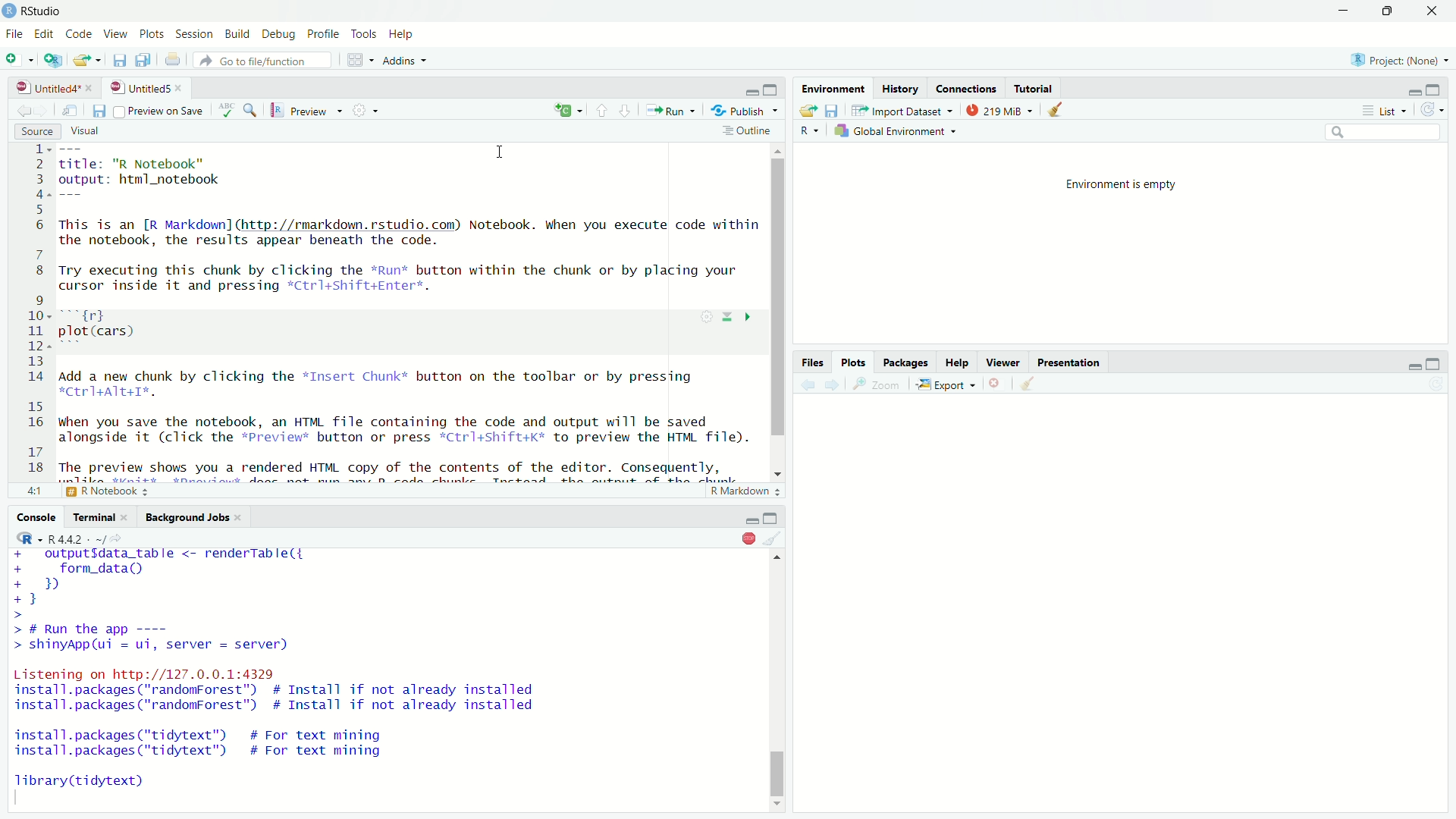 The width and height of the screenshot is (1456, 819). Describe the element at coordinates (1034, 89) in the screenshot. I see `Tutorial` at that location.